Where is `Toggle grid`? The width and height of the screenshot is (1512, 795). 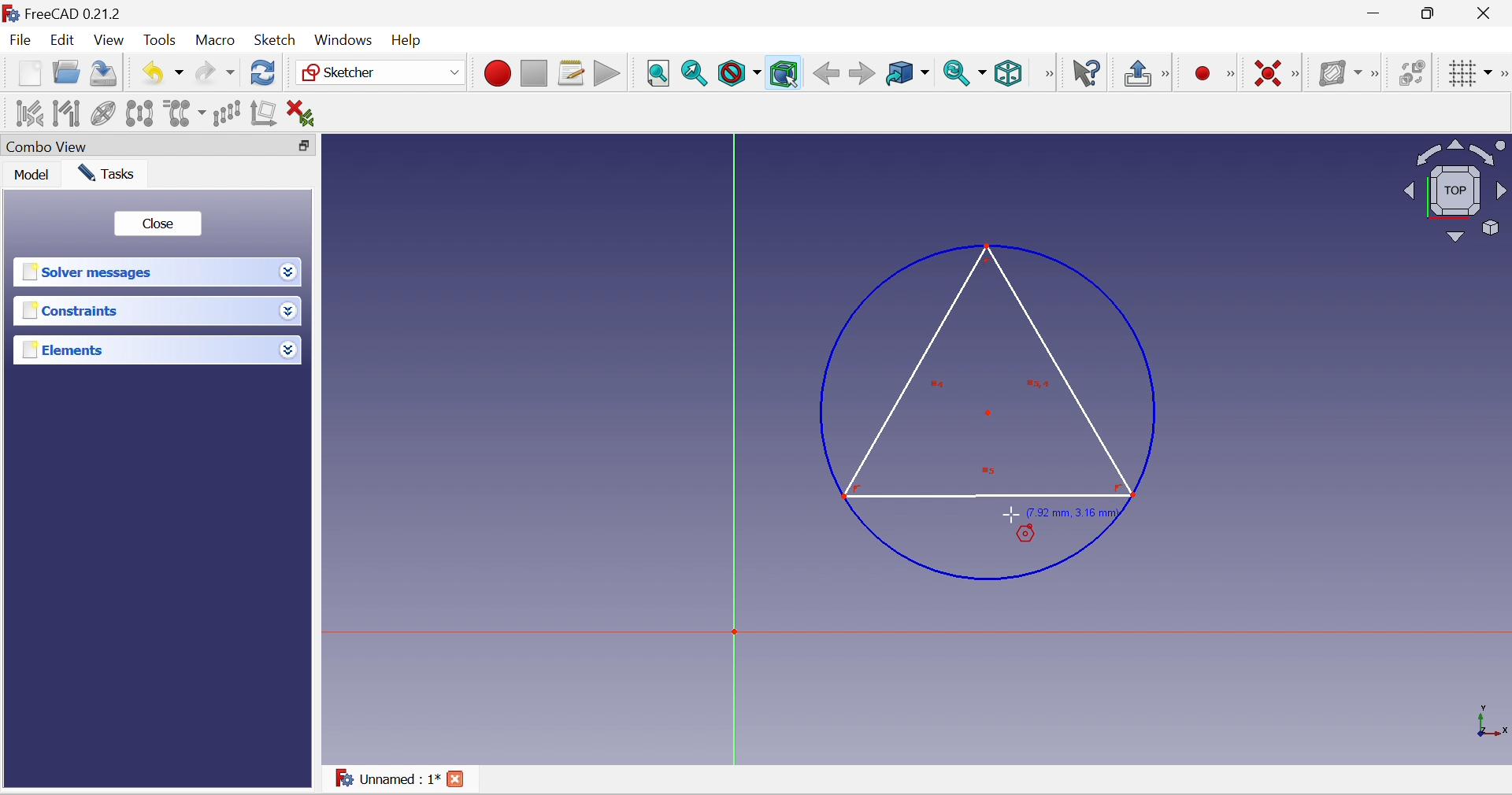
Toggle grid is located at coordinates (1470, 73).